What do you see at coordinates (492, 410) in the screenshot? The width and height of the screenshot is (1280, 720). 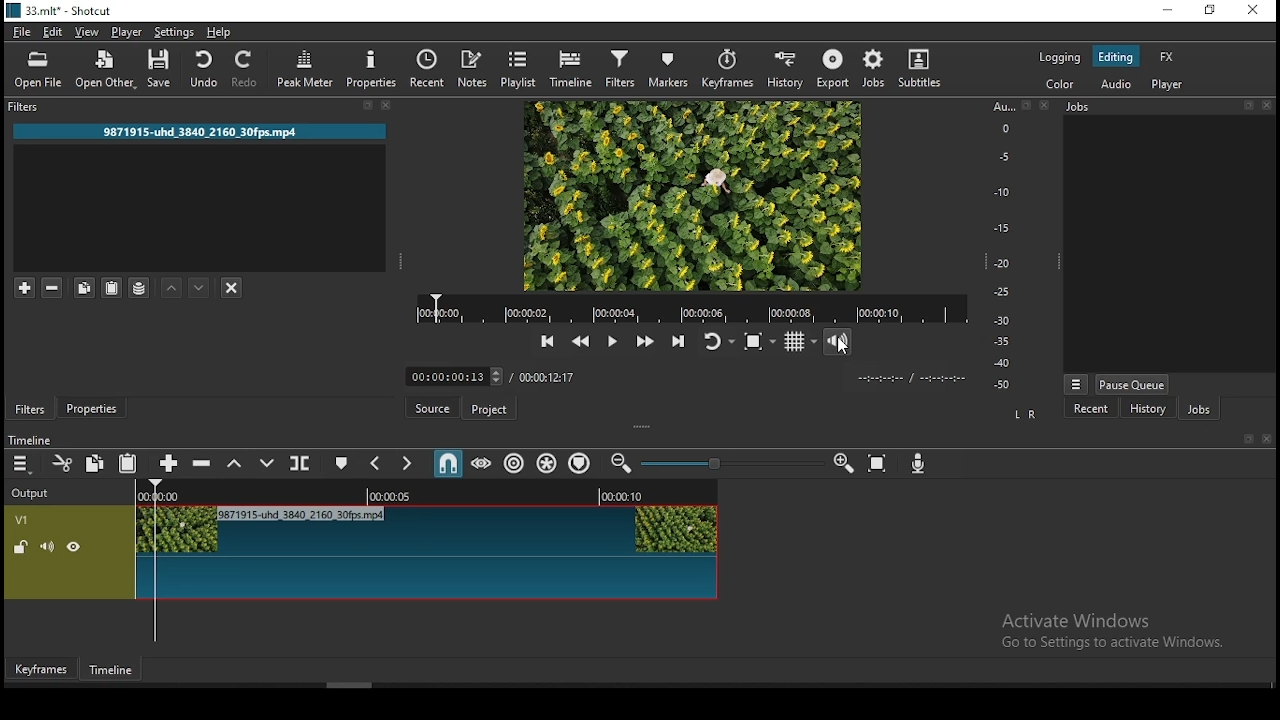 I see `project` at bounding box center [492, 410].